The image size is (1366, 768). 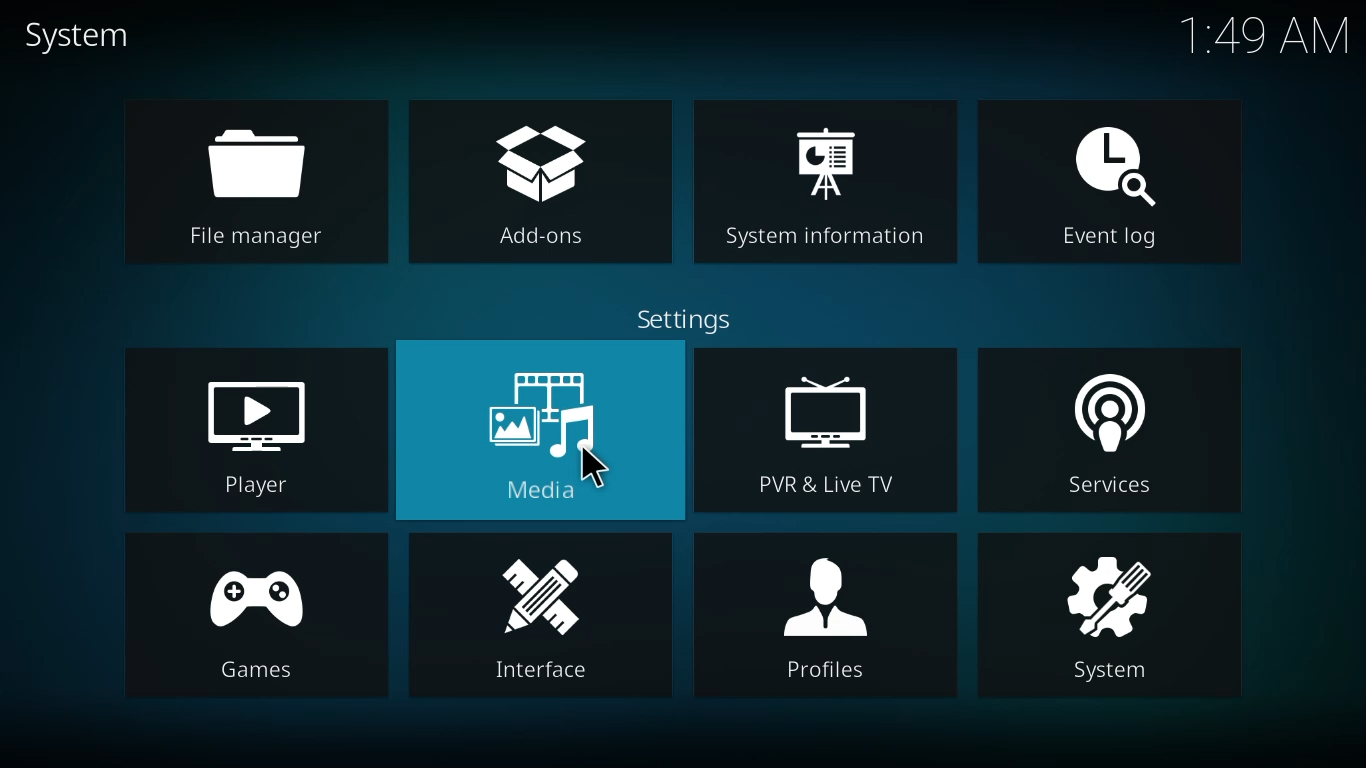 What do you see at coordinates (1270, 41) in the screenshot?
I see `time` at bounding box center [1270, 41].